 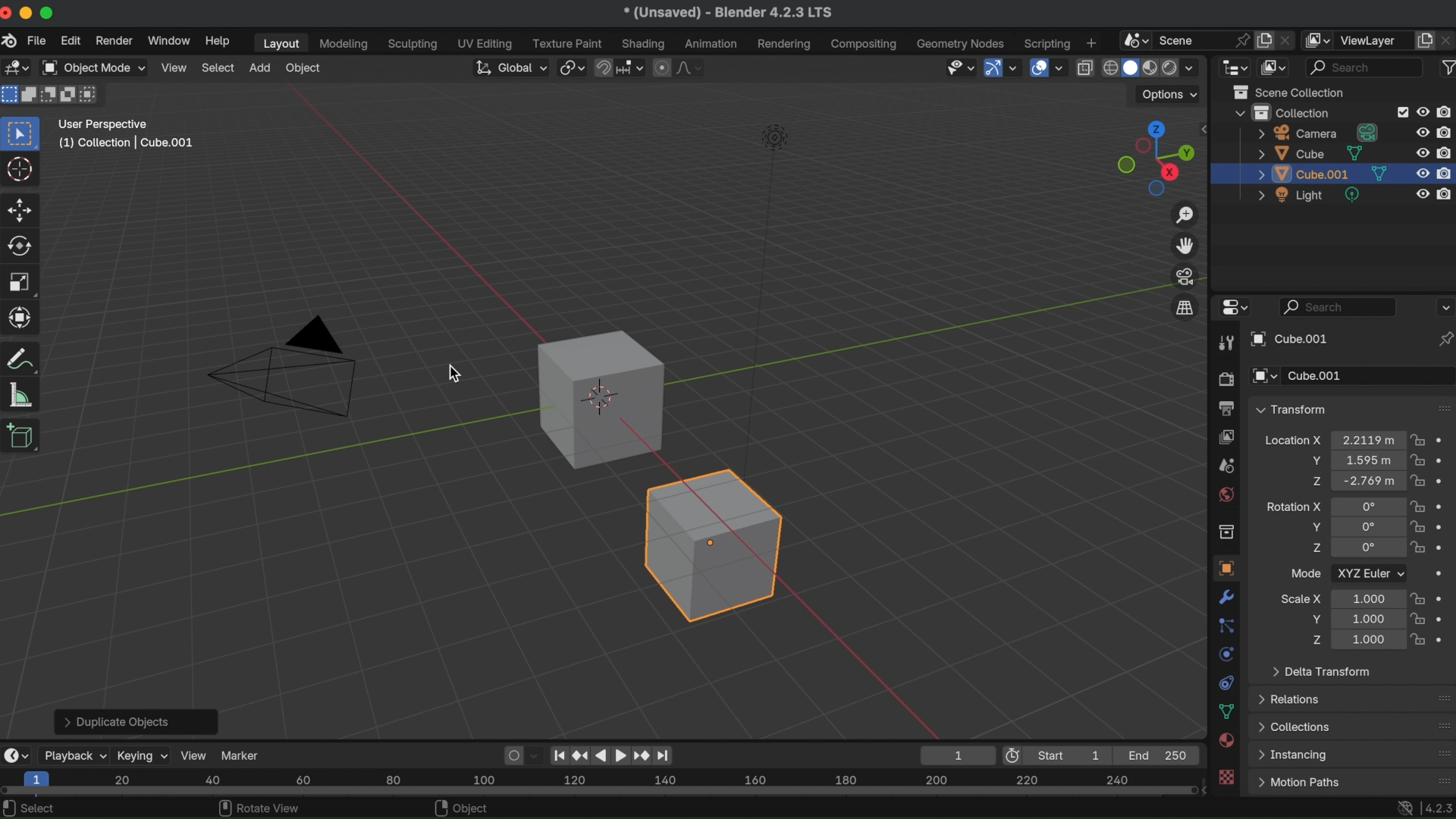 I want to click on object, so click(x=305, y=69).